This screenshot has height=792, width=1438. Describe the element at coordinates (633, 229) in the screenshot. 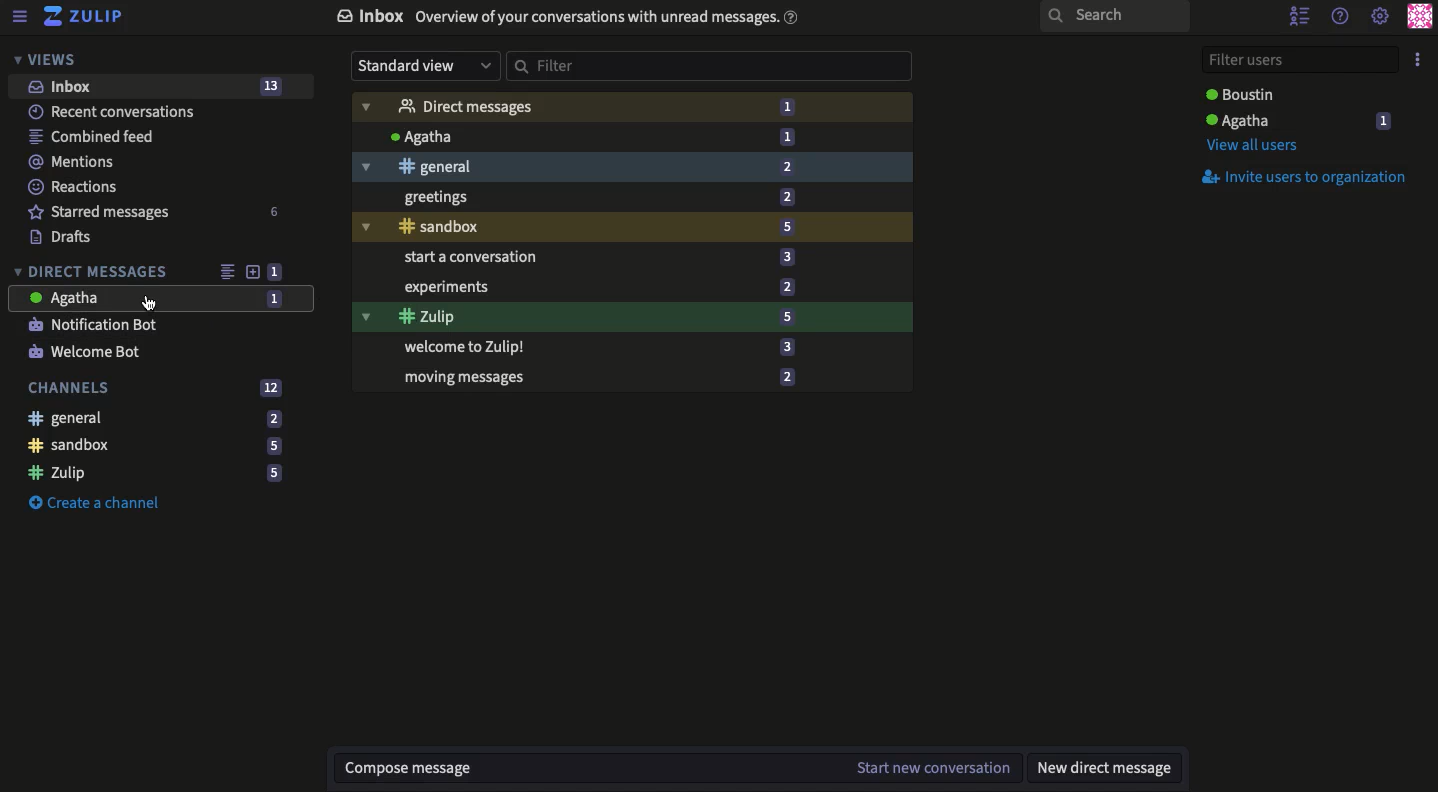

I see `Sandbox` at that location.